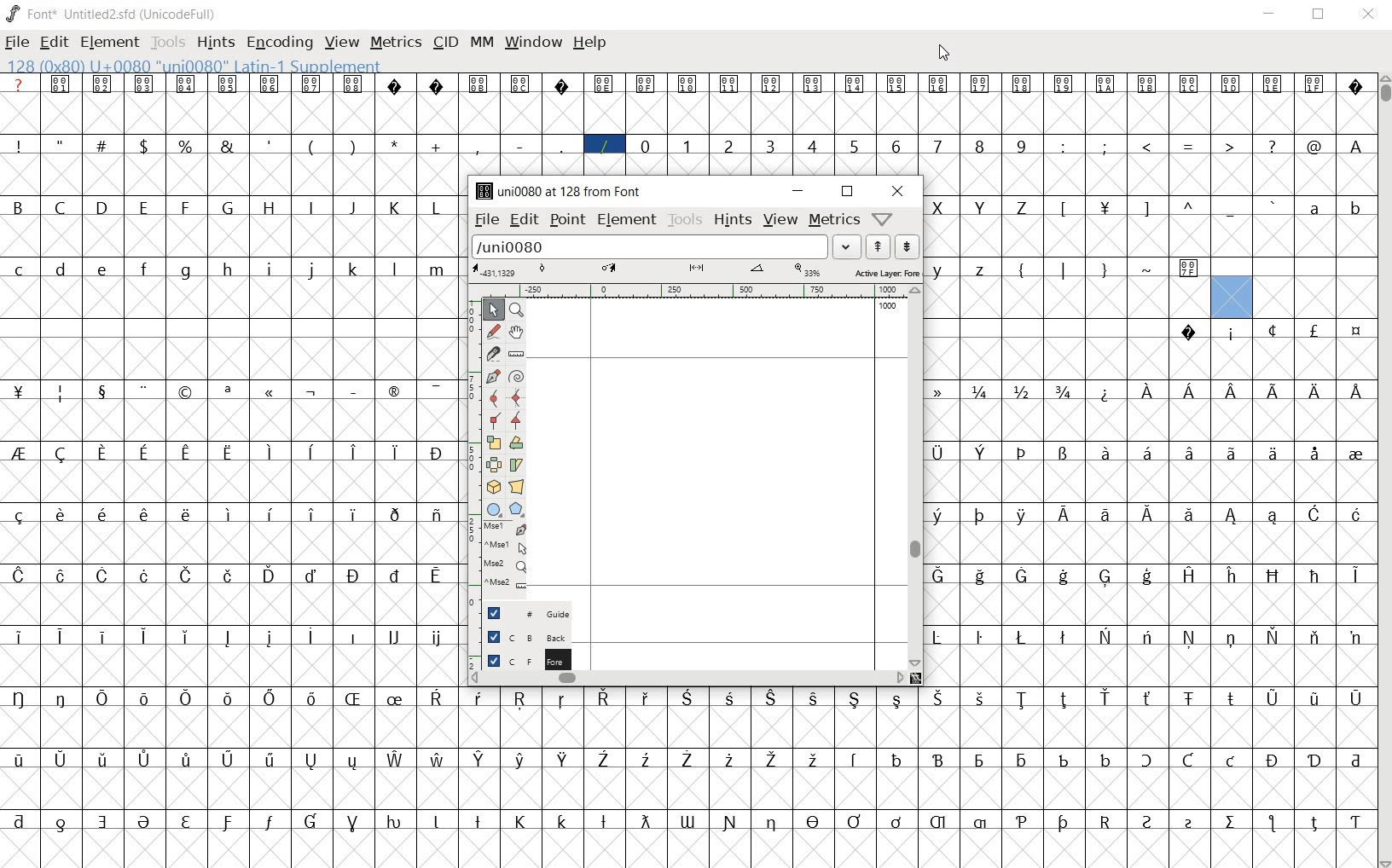  Describe the element at coordinates (19, 453) in the screenshot. I see `glyph` at that location.